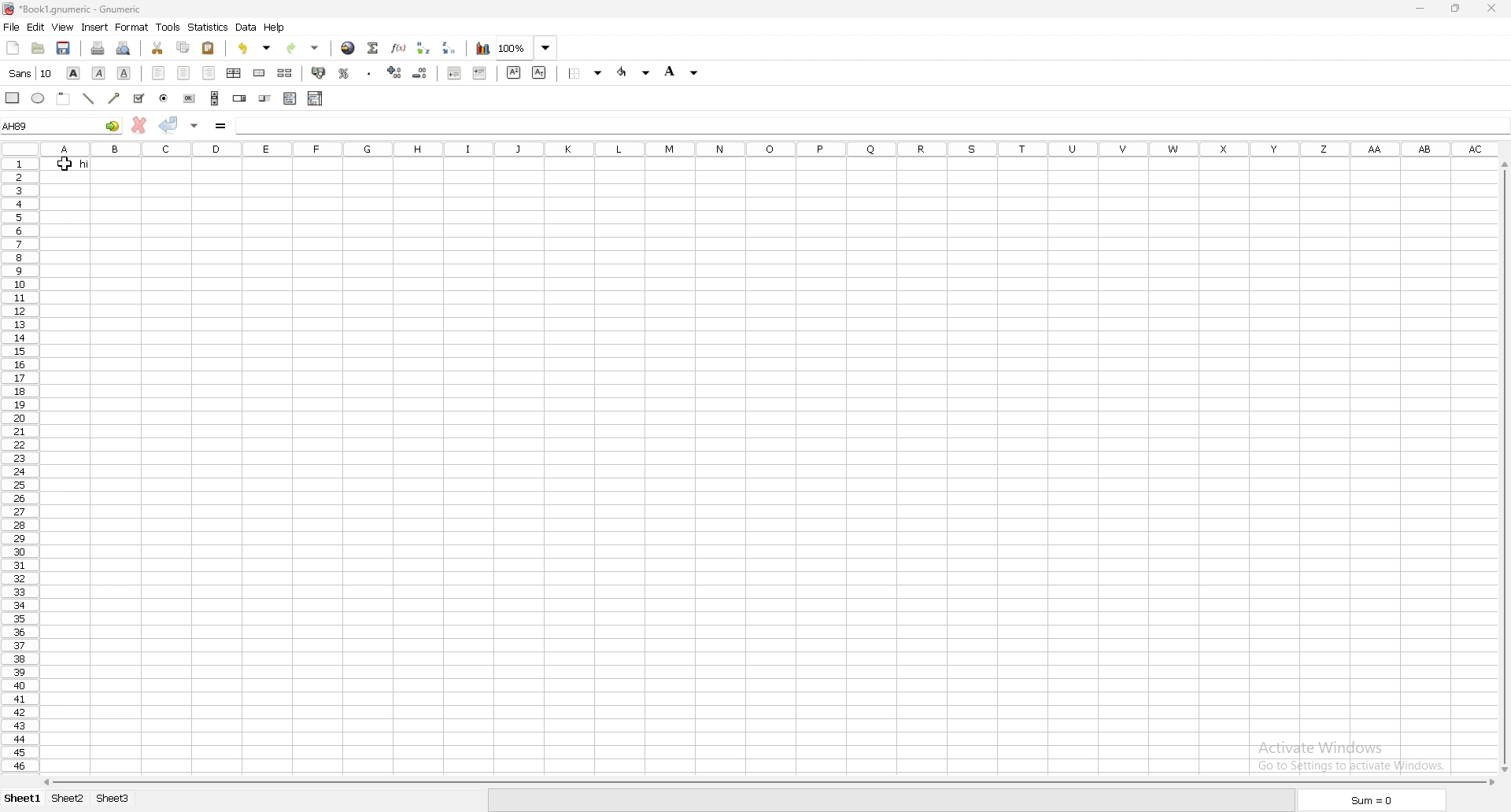 This screenshot has width=1511, height=812. What do you see at coordinates (98, 48) in the screenshot?
I see `print` at bounding box center [98, 48].